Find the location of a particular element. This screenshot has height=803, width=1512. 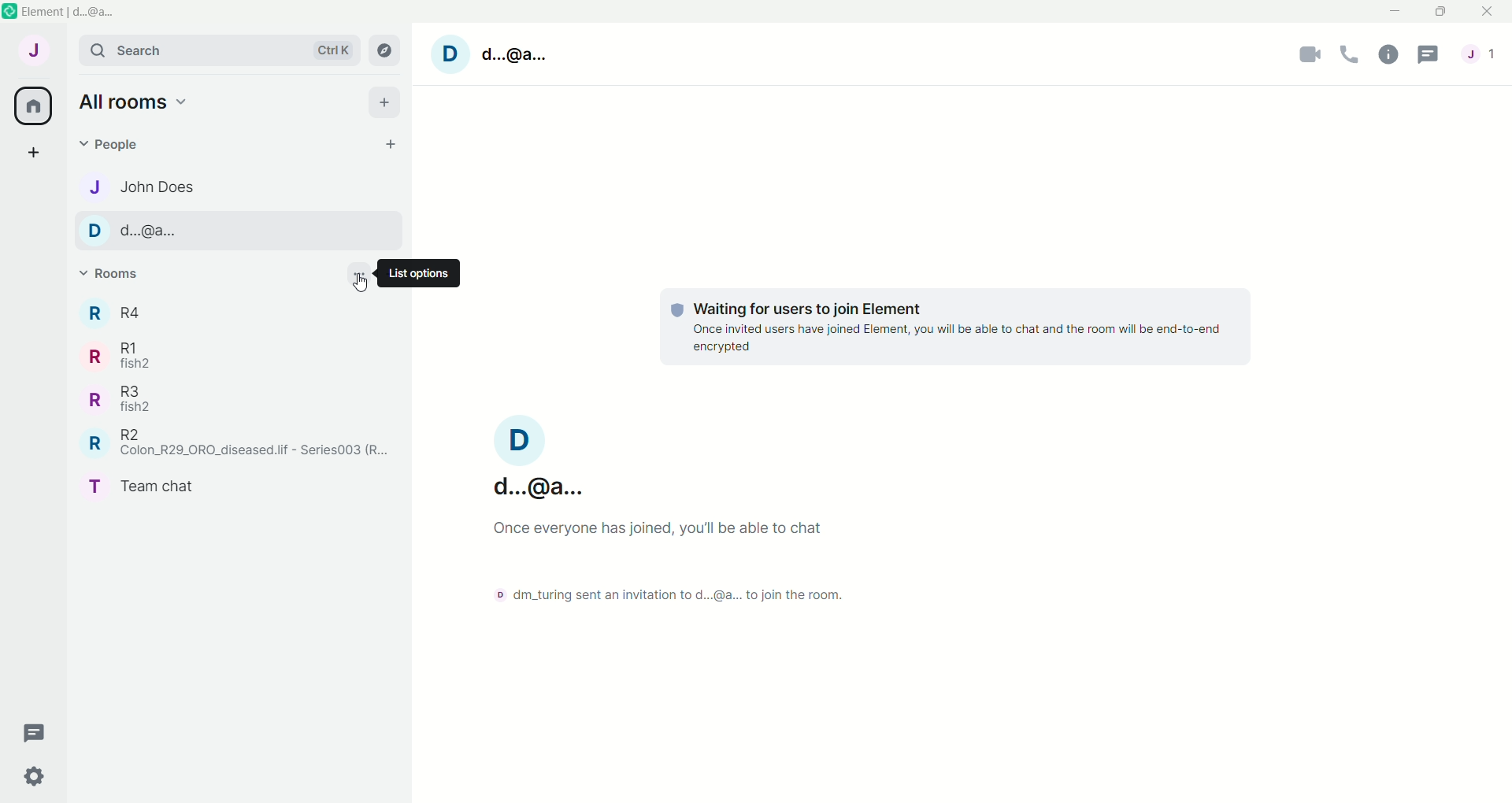

Text is located at coordinates (421, 274).